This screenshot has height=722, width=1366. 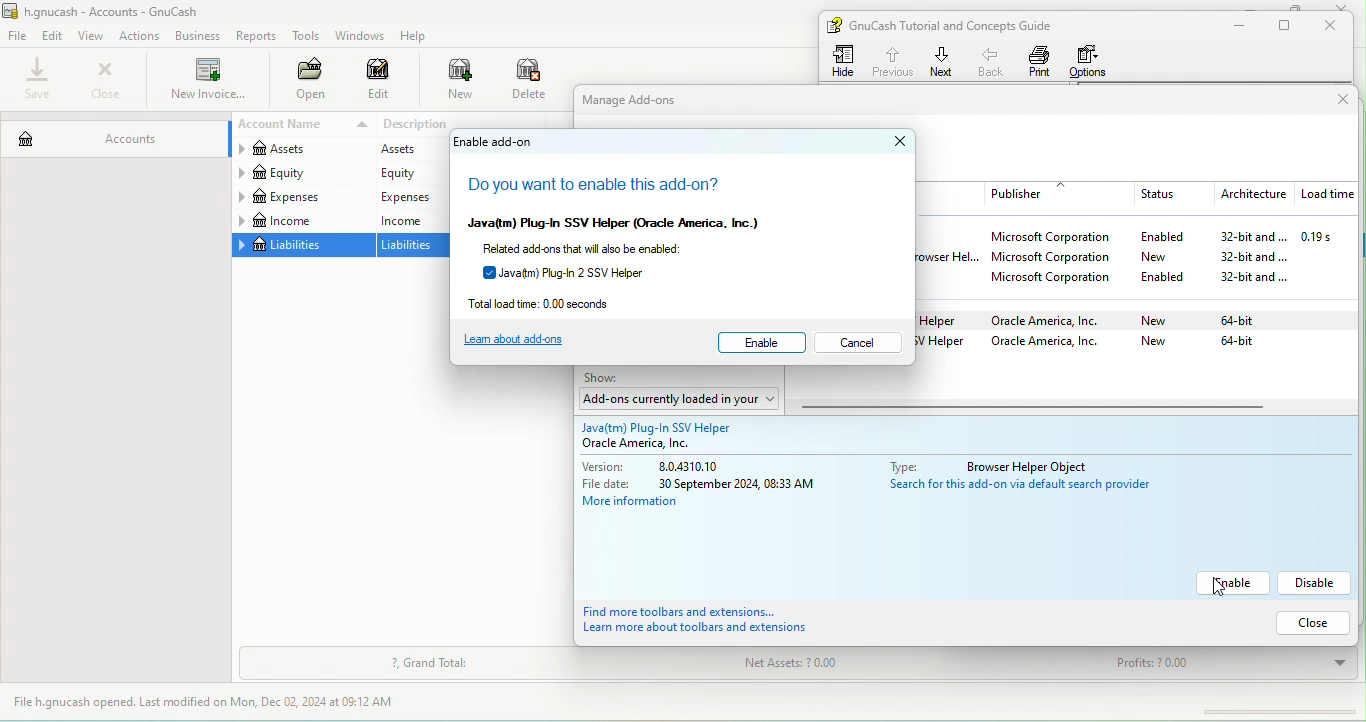 What do you see at coordinates (430, 664) in the screenshot?
I see `grand total` at bounding box center [430, 664].